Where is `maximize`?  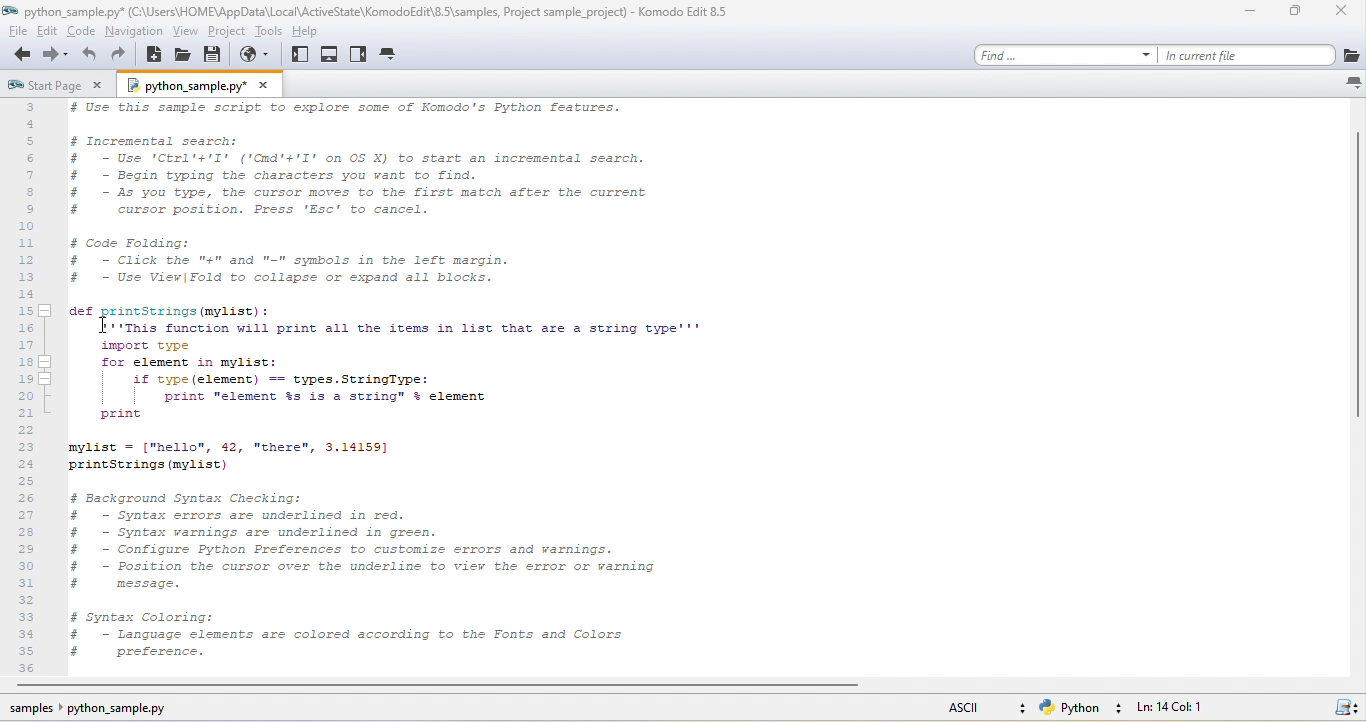 maximize is located at coordinates (1297, 12).